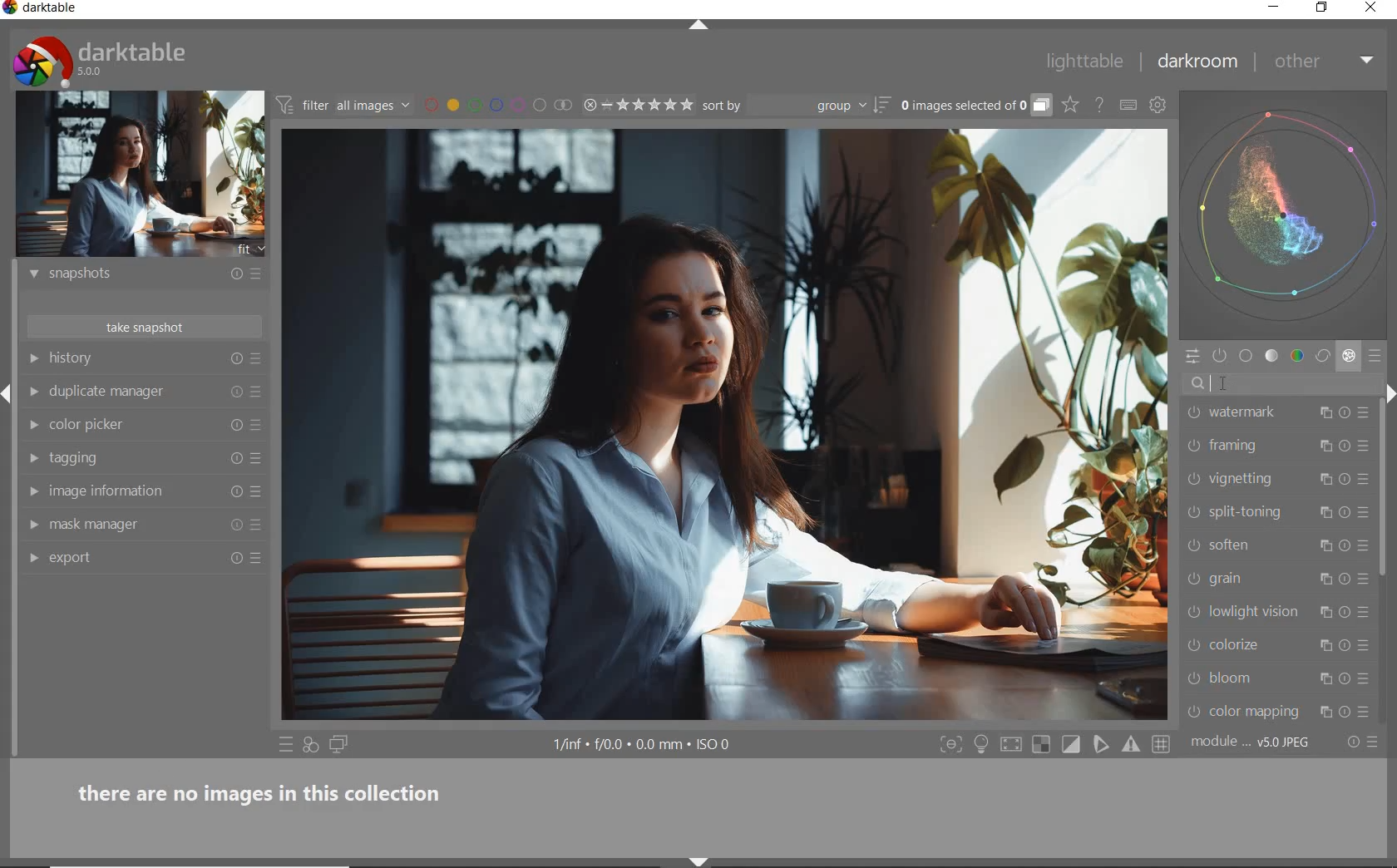 This screenshot has width=1397, height=868. What do you see at coordinates (1345, 678) in the screenshot?
I see `reset` at bounding box center [1345, 678].